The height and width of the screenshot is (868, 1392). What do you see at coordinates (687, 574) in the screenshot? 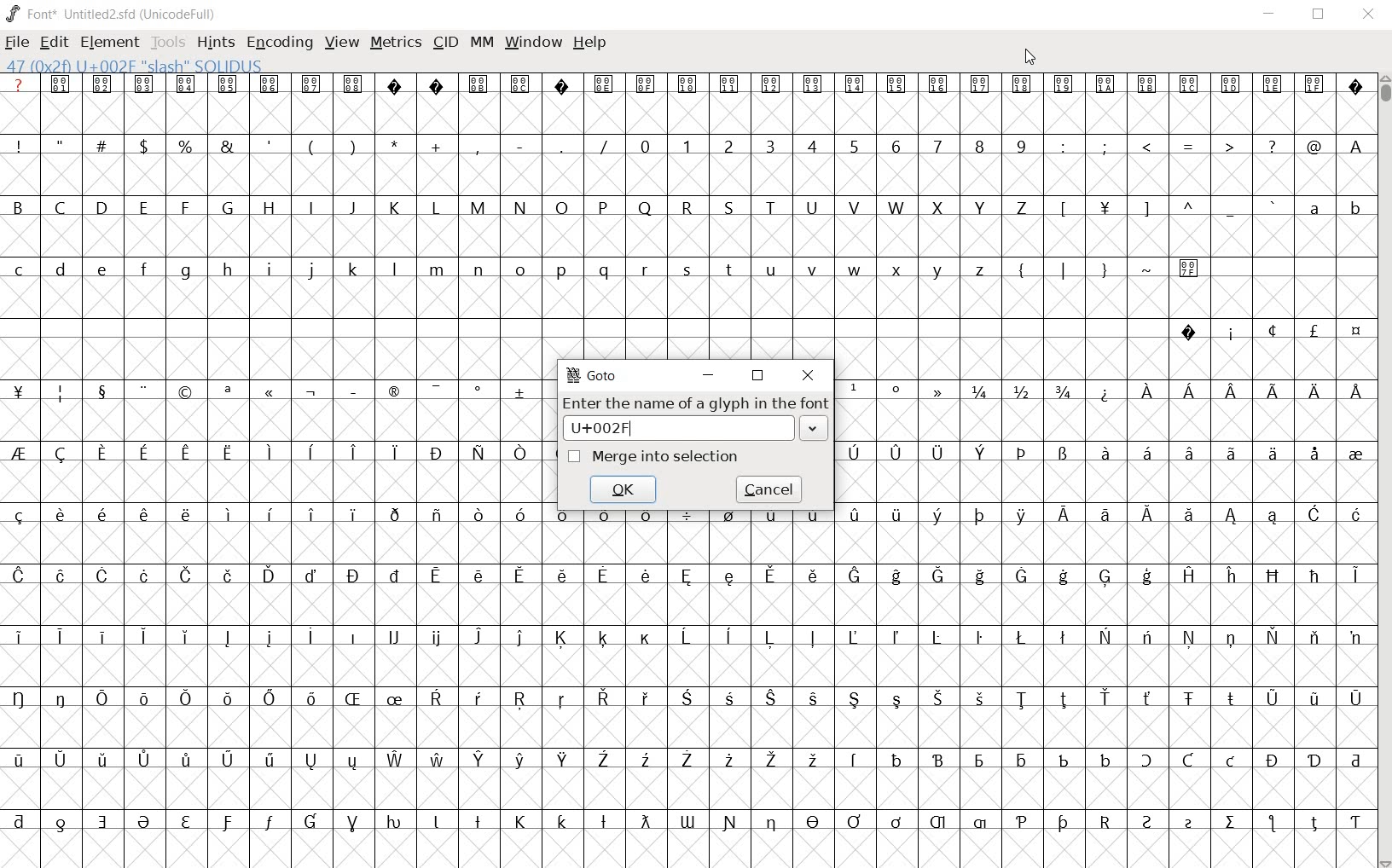
I see `special letters` at bounding box center [687, 574].